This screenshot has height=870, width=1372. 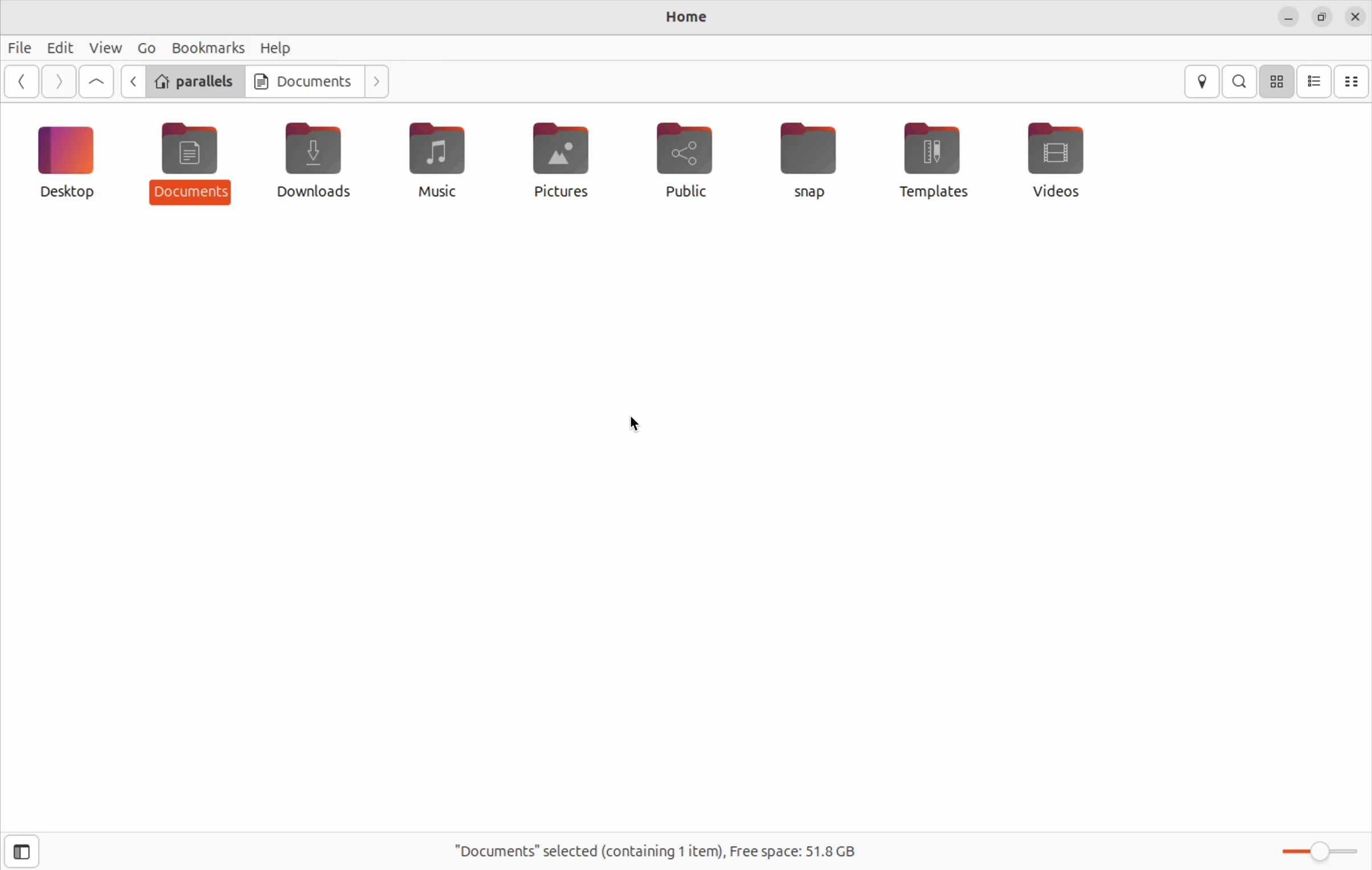 What do you see at coordinates (150, 46) in the screenshot?
I see `Go` at bounding box center [150, 46].